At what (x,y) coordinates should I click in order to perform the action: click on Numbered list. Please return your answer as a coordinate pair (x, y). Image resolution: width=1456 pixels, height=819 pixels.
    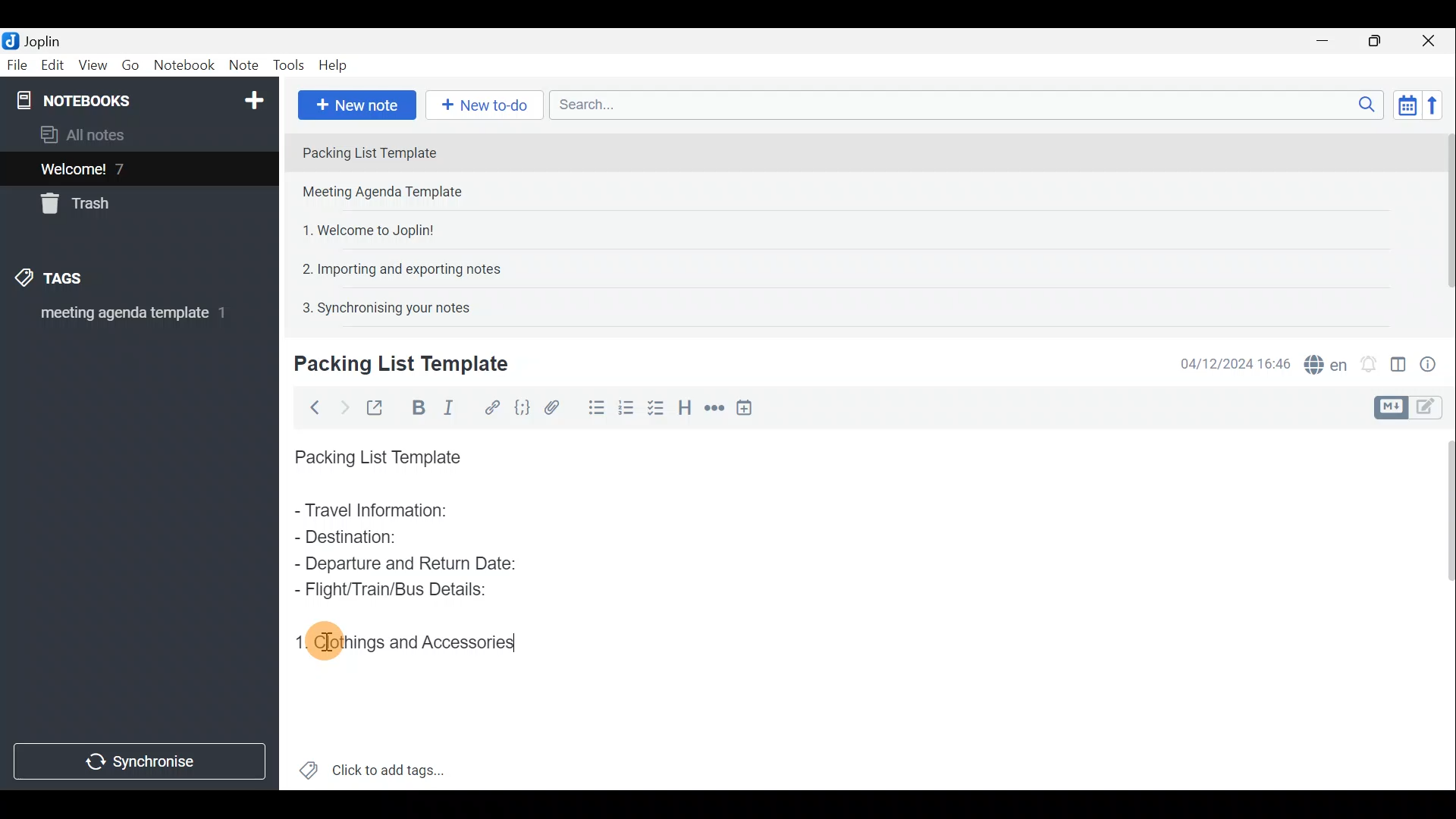
    Looking at the image, I should click on (657, 407).